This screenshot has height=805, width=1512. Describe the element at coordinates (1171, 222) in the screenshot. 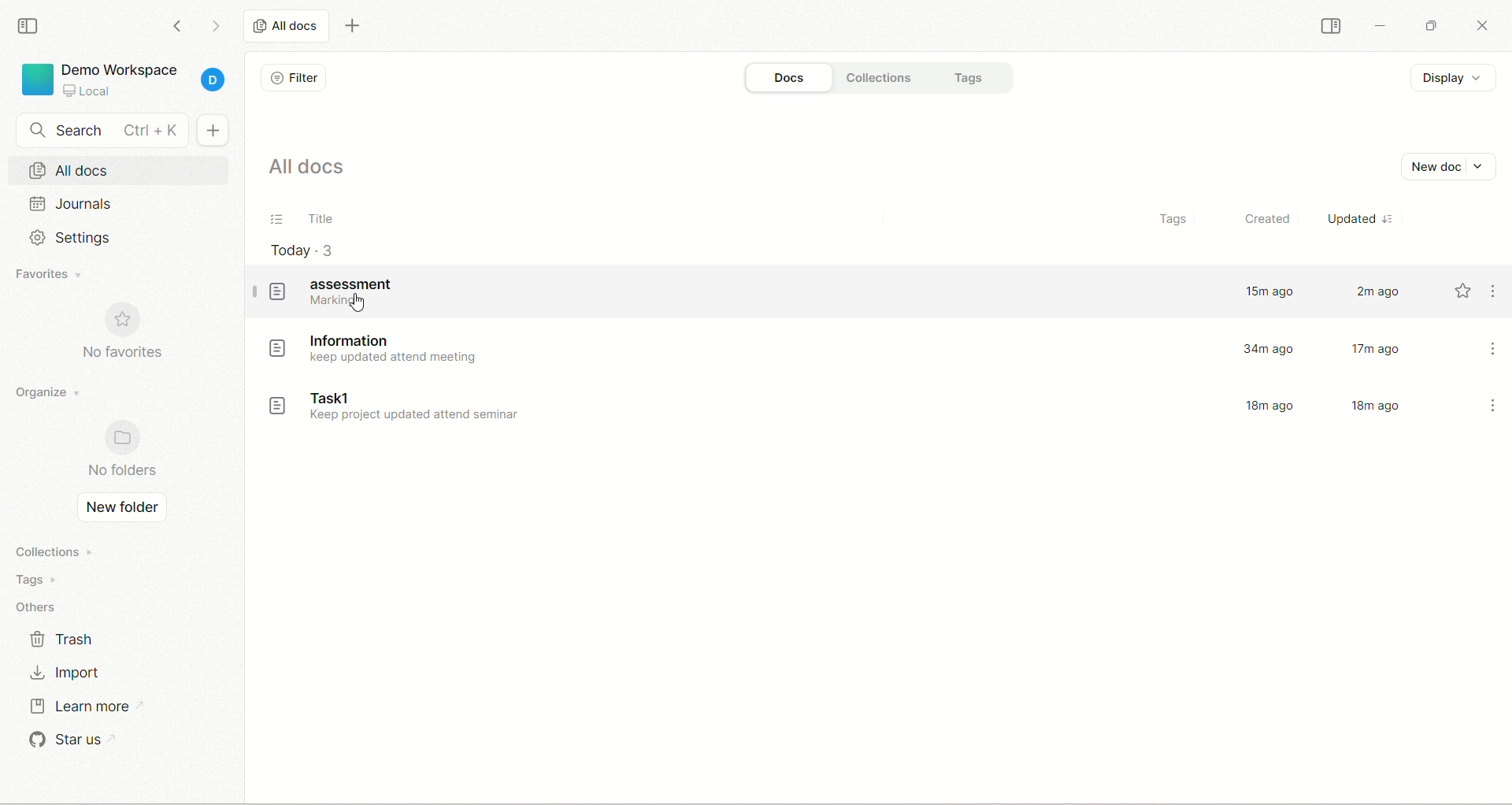

I see `tags` at that location.